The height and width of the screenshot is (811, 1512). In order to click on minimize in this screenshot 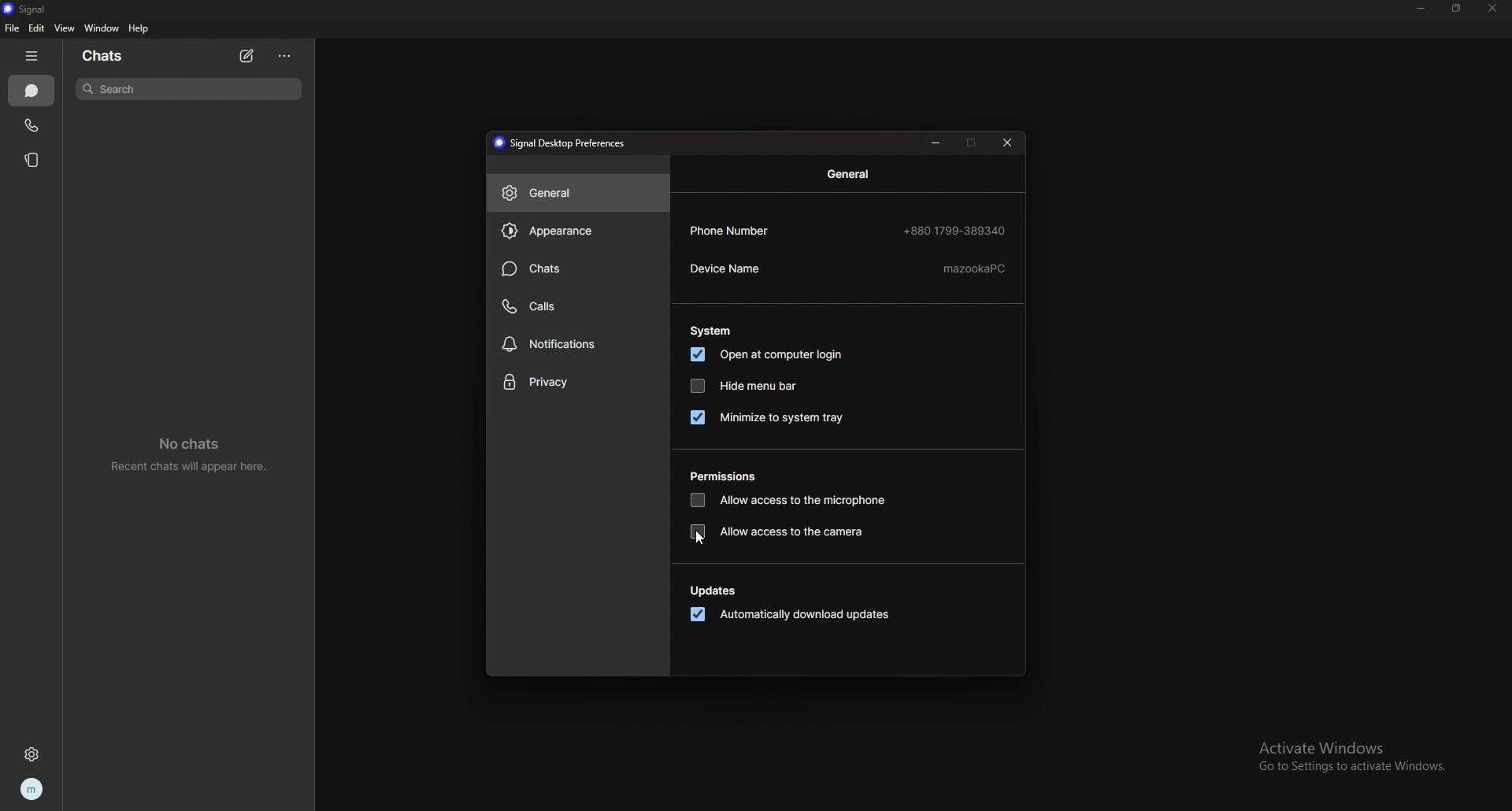, I will do `click(936, 143)`.